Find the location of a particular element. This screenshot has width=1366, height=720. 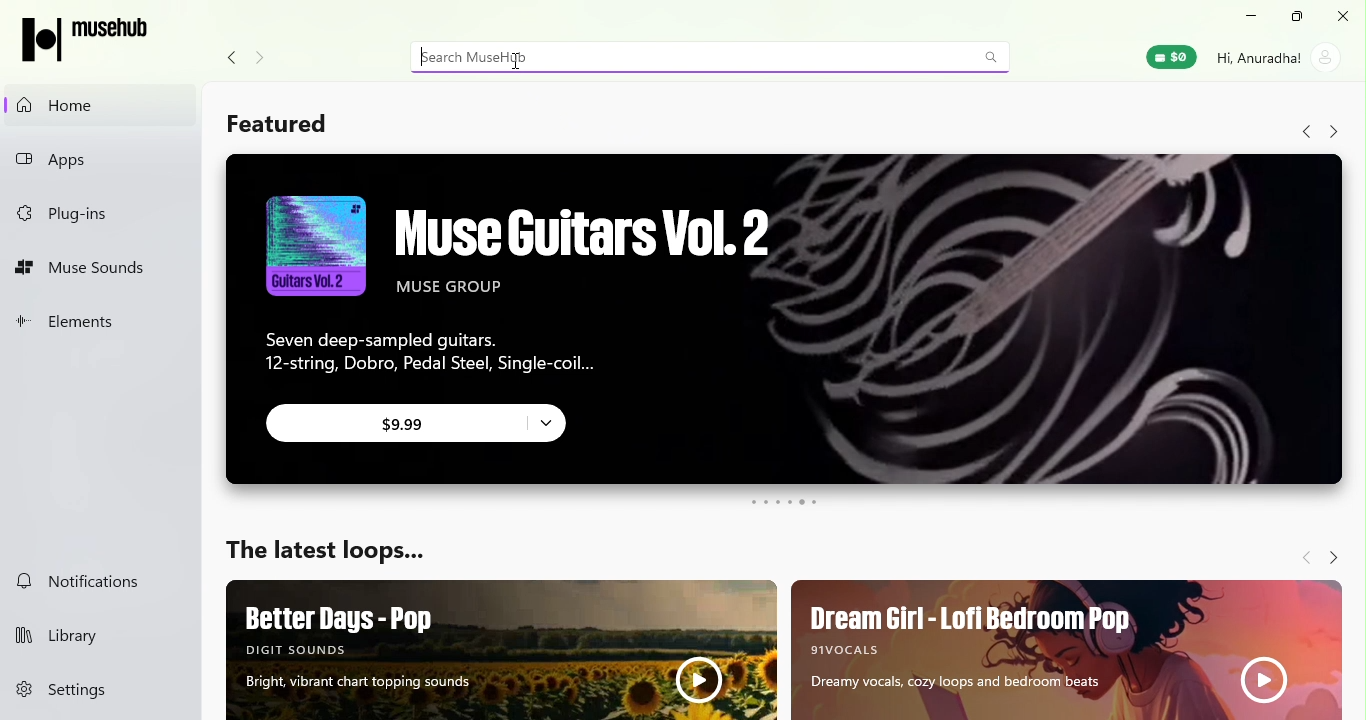

The latest loops is located at coordinates (326, 554).